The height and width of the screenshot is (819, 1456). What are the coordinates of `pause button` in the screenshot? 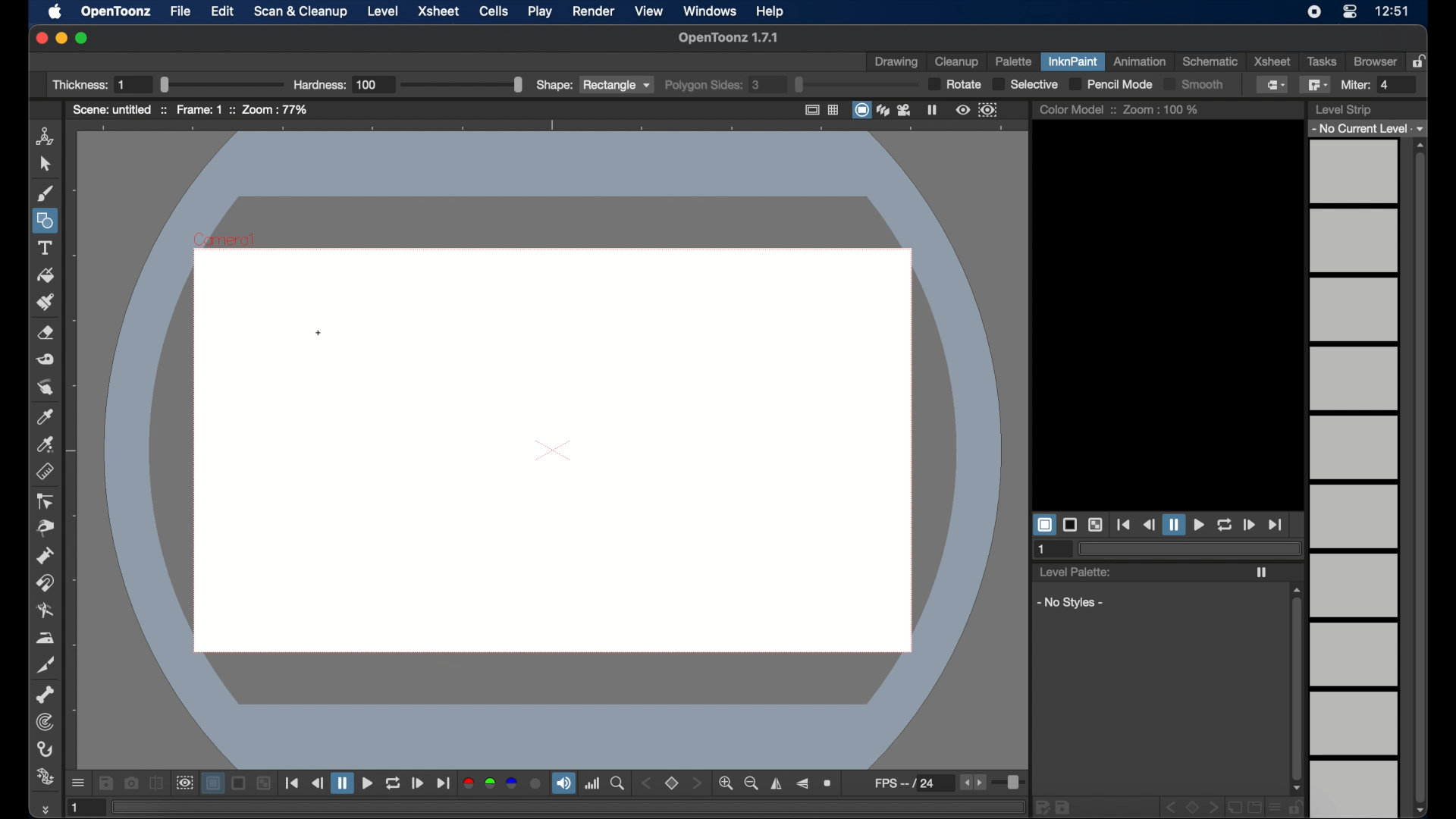 It's located at (1173, 524).